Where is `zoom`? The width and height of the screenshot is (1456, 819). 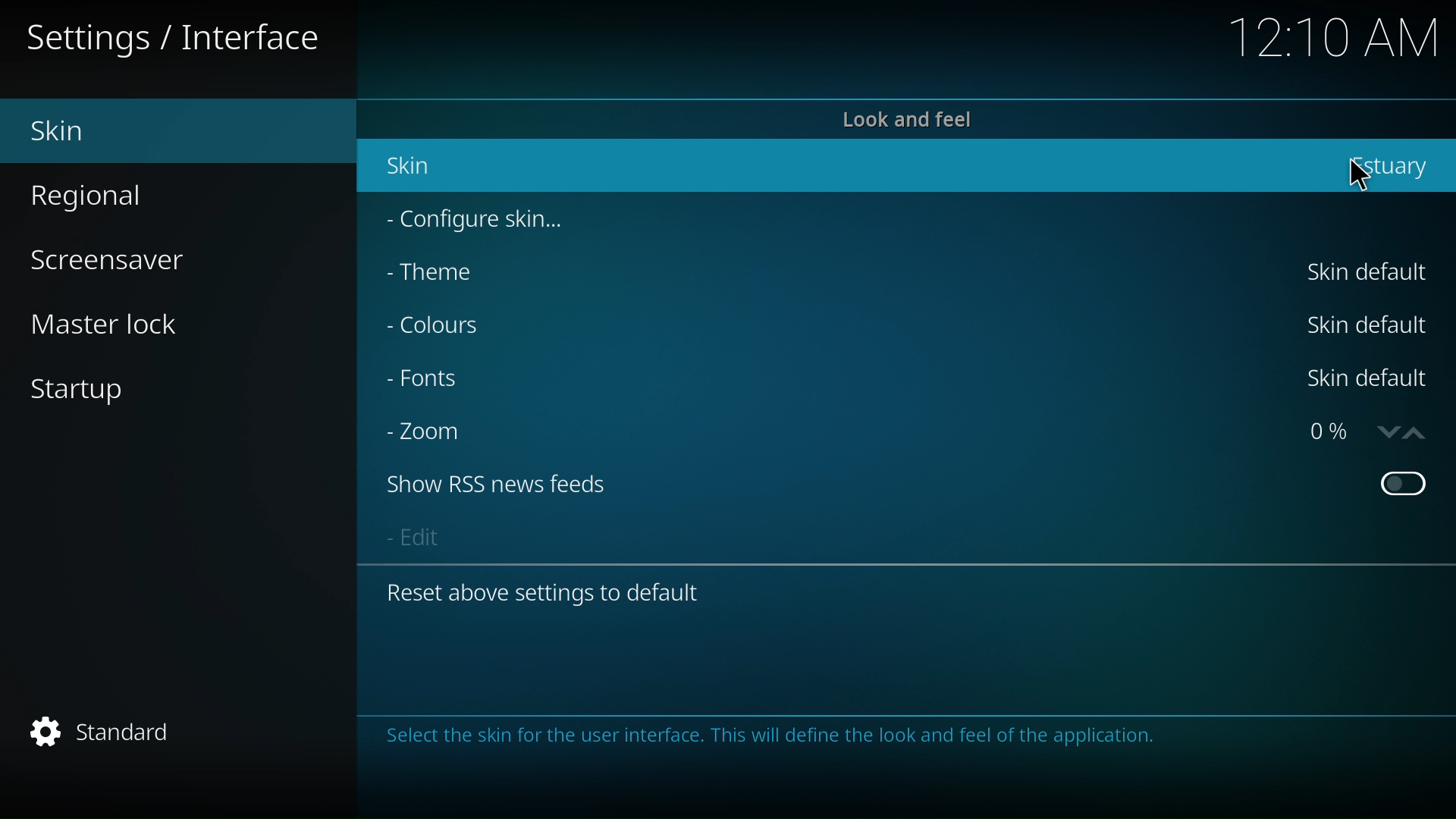
zoom is located at coordinates (423, 432).